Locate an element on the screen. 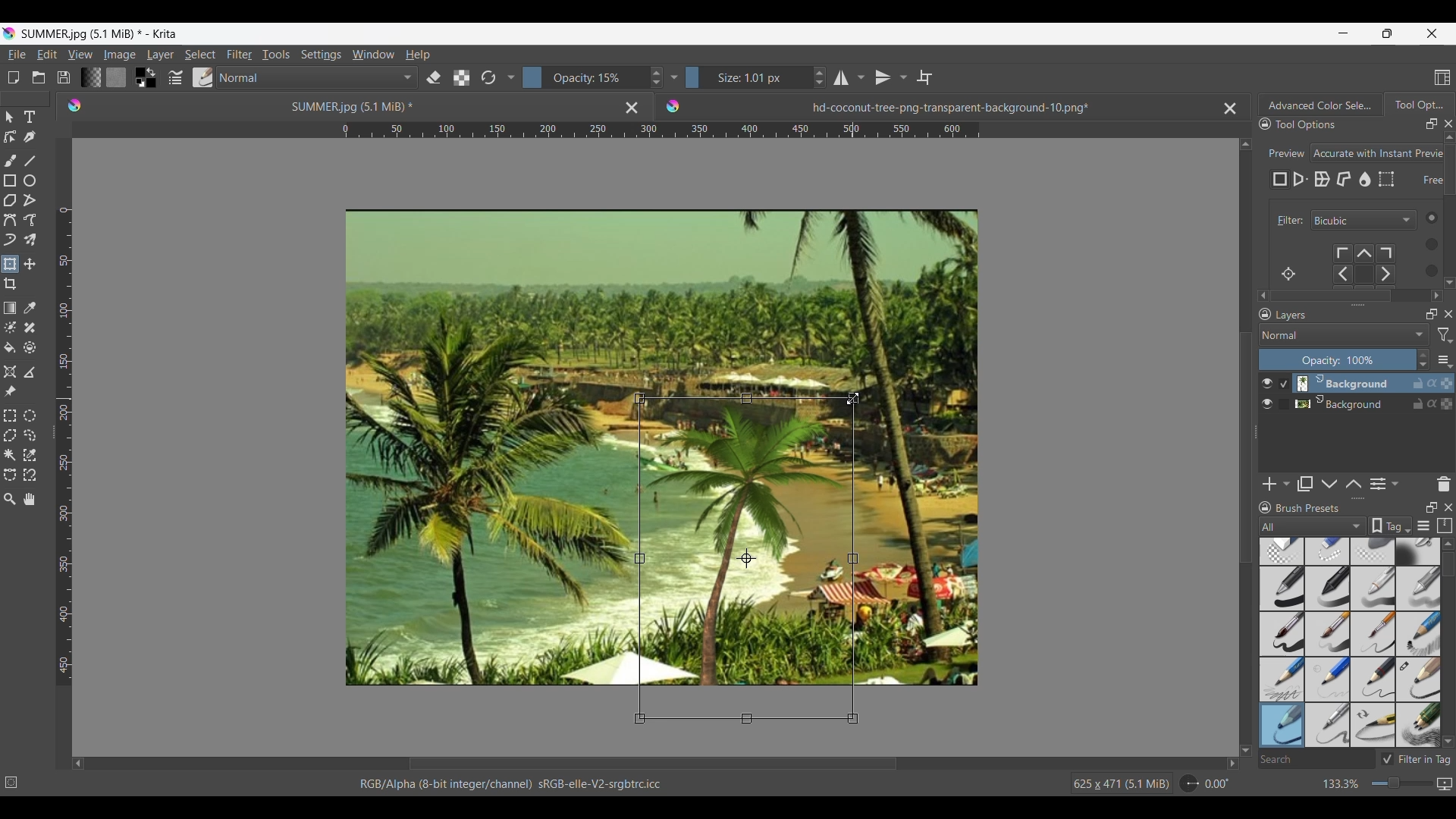 Image resolution: width=1456 pixels, height=819 pixels. Eraser soft is located at coordinates (1375, 551).